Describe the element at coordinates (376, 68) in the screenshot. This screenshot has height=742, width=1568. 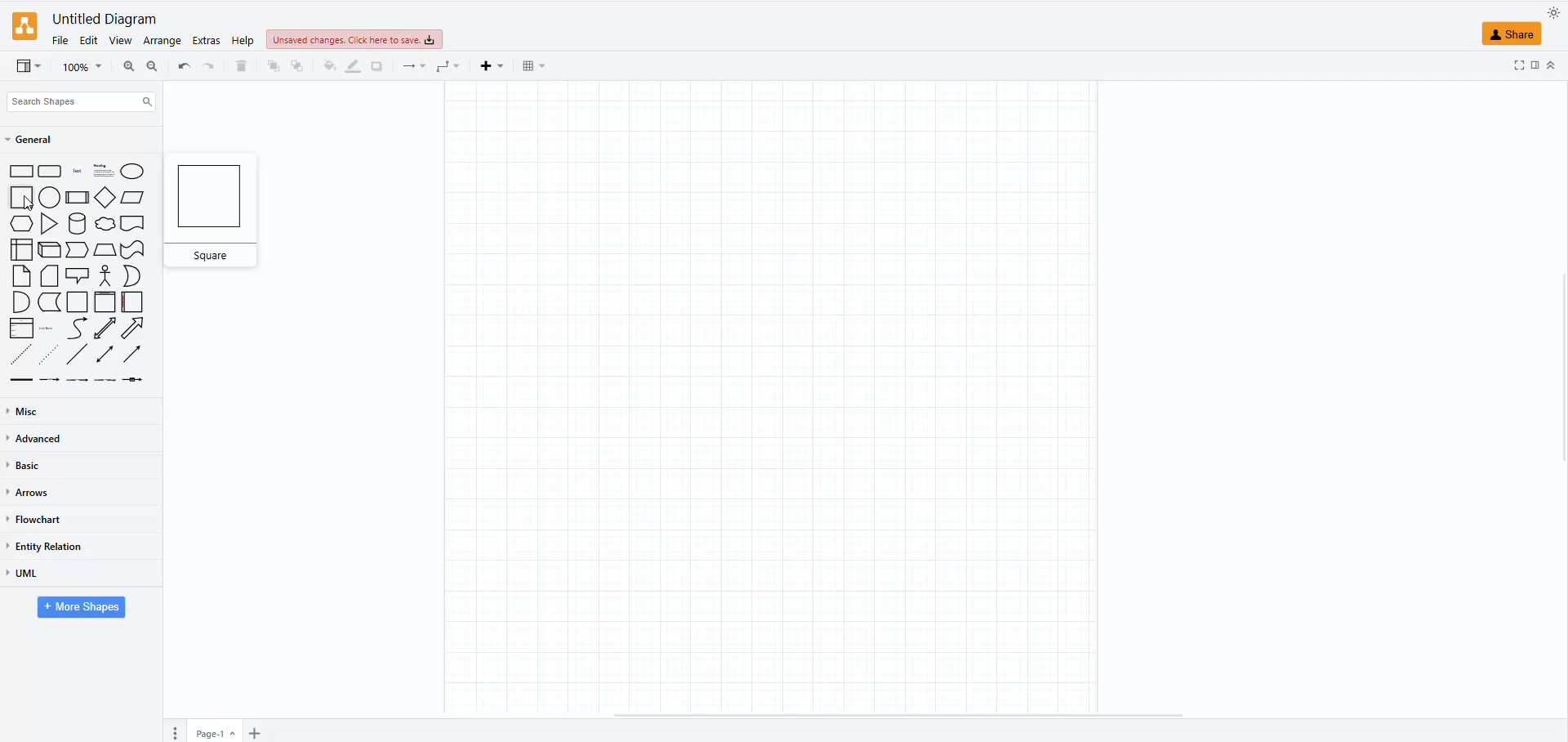
I see `shadow` at that location.